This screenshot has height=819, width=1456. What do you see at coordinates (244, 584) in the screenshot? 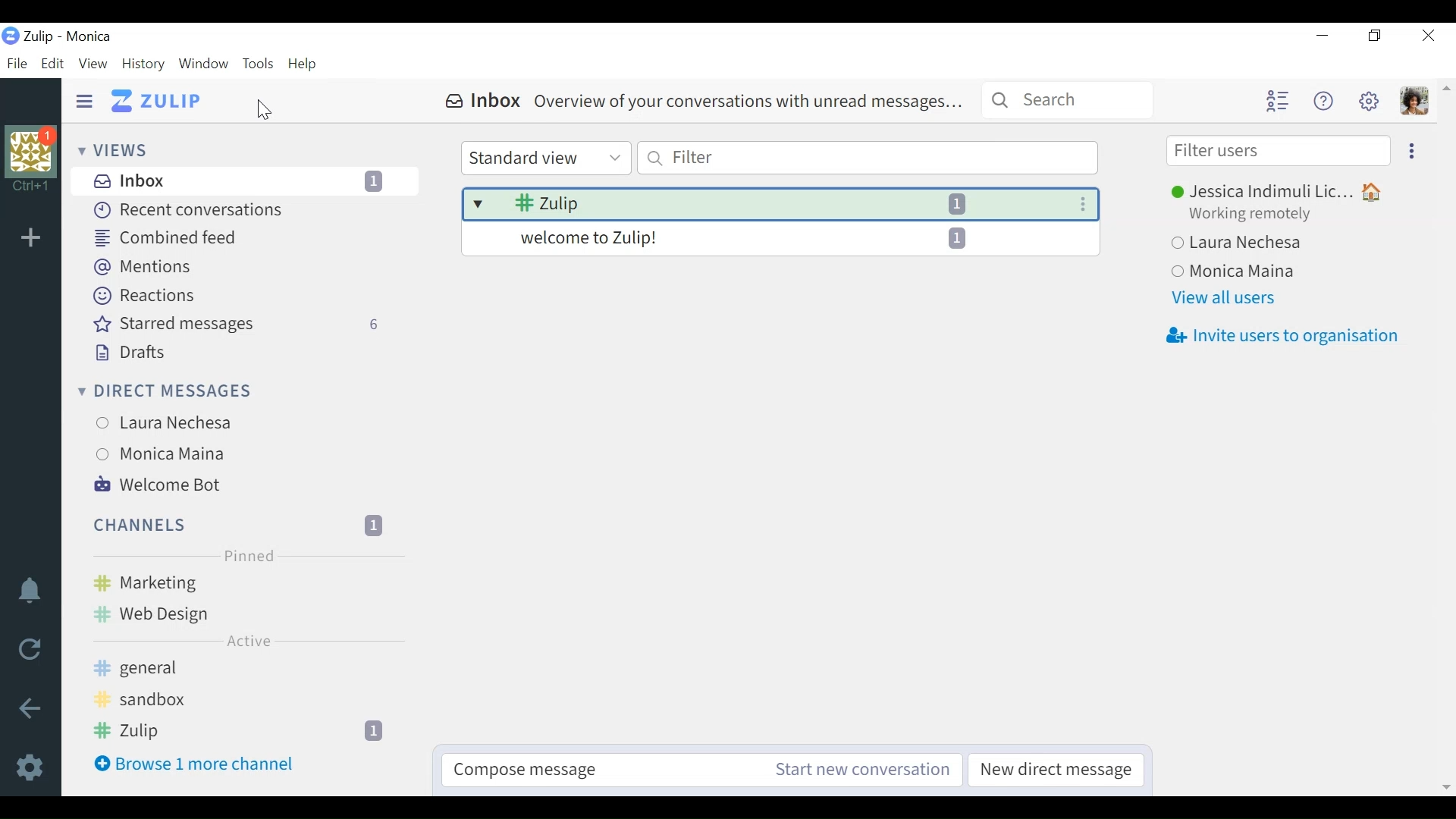
I see `Channel` at bounding box center [244, 584].